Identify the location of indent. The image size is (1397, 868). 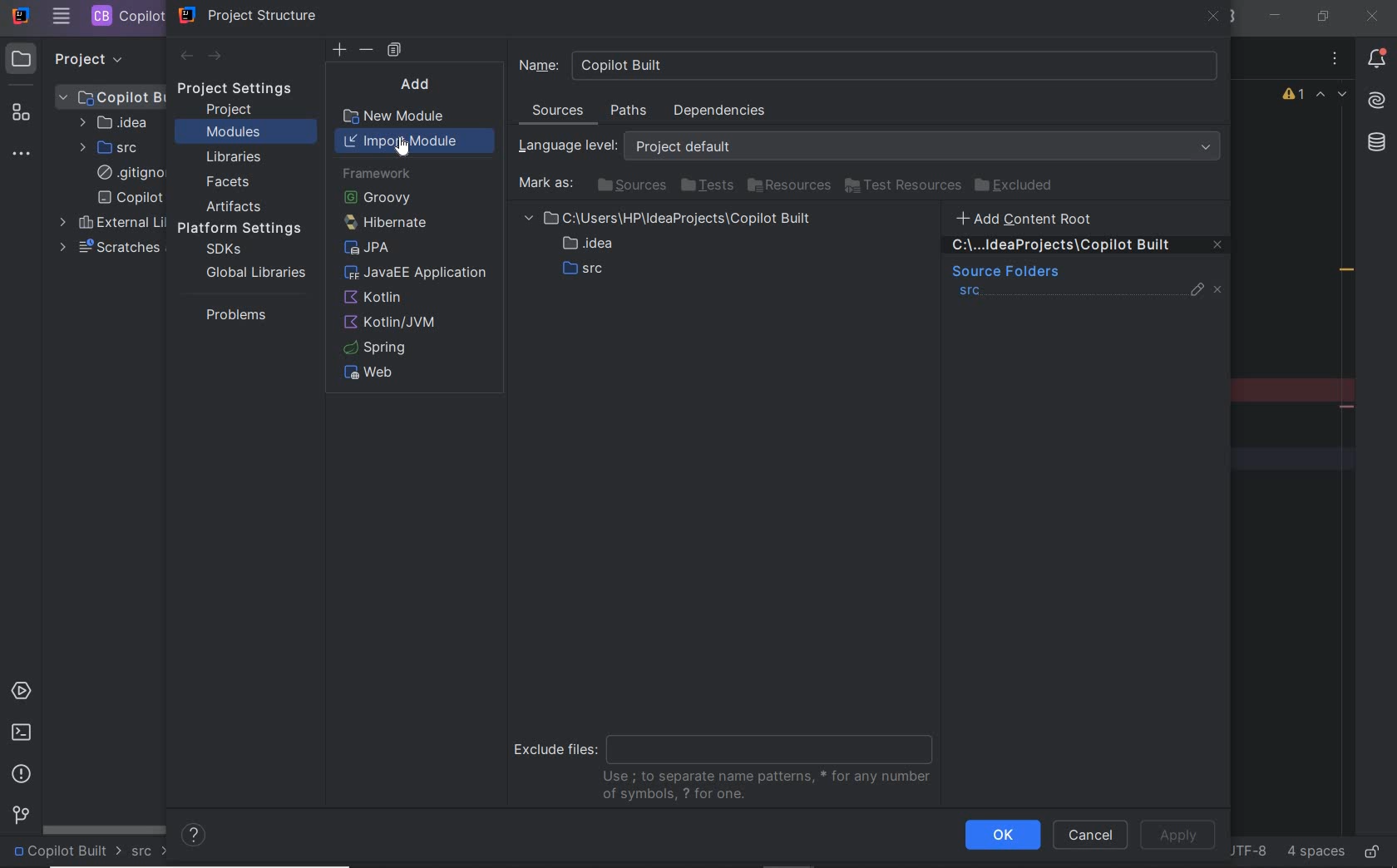
(1314, 852).